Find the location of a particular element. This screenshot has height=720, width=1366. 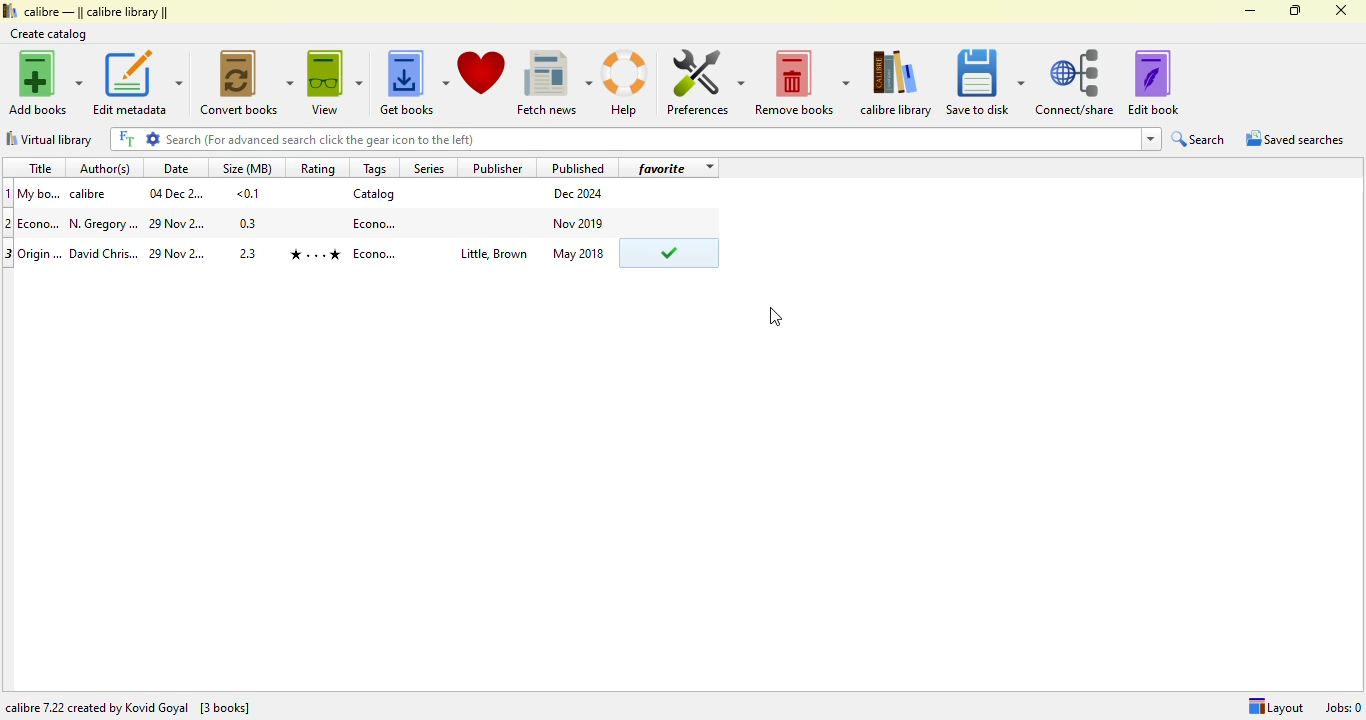

maximize is located at coordinates (1296, 10).